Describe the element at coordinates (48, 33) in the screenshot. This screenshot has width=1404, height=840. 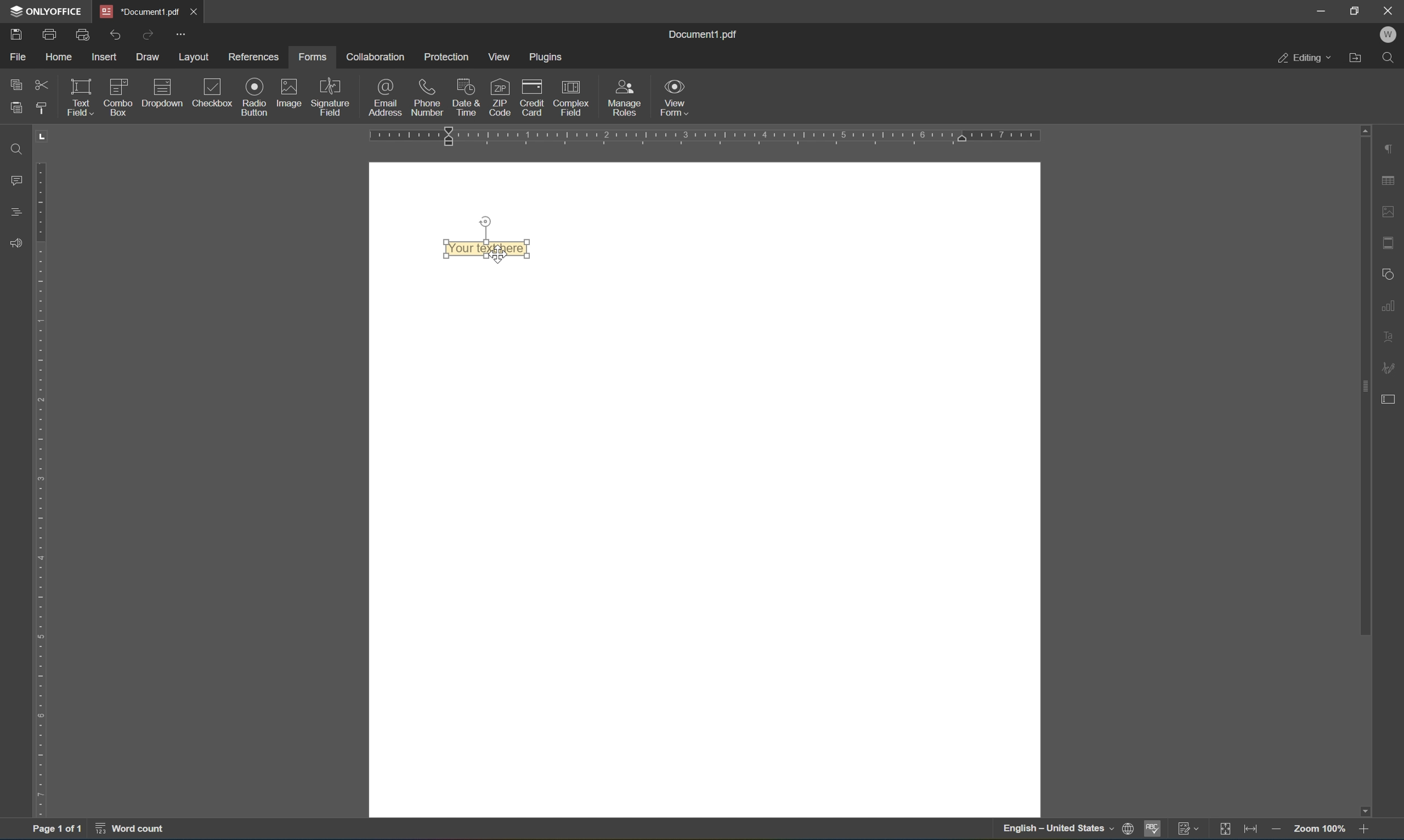
I see `print` at that location.